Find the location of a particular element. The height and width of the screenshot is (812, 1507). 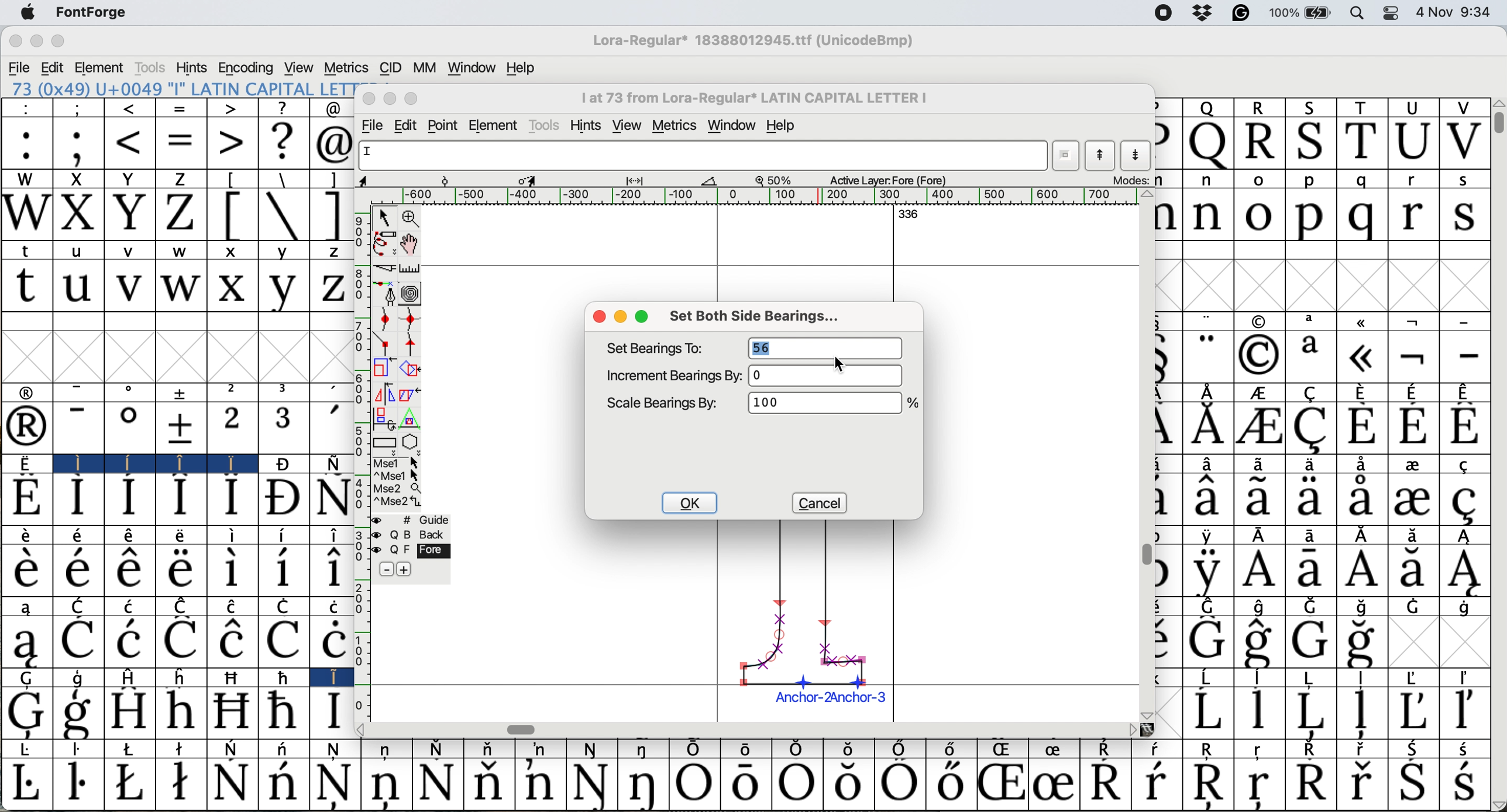

Symbol is located at coordinates (280, 499).